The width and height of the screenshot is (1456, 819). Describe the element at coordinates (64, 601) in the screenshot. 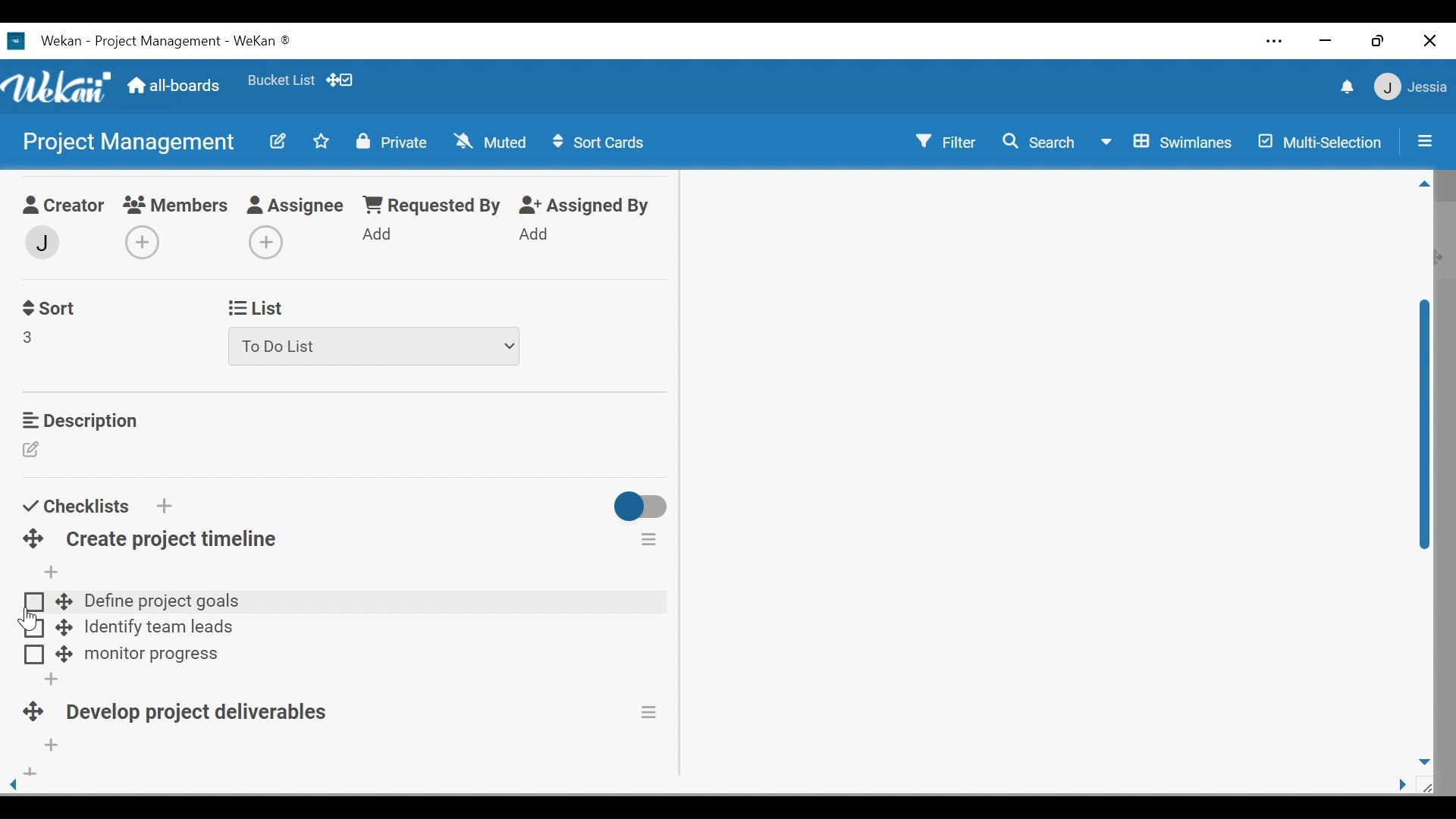

I see `Desktop drag handle` at that location.